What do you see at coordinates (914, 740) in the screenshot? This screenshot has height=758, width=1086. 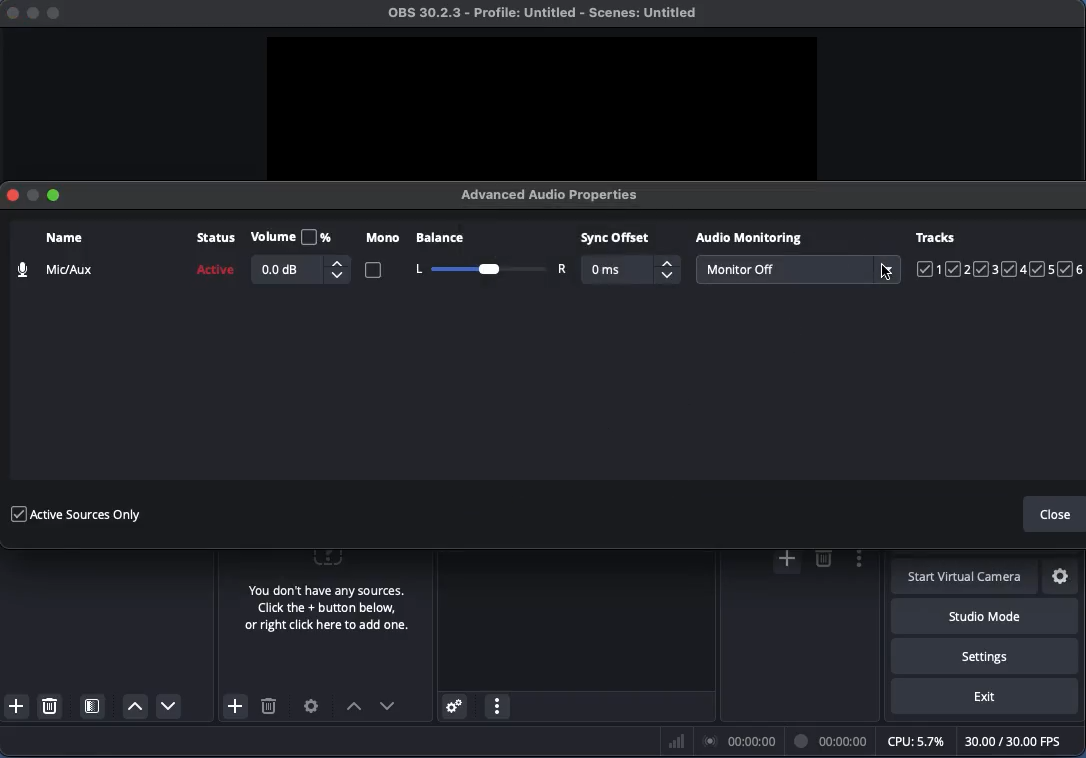 I see `CPU` at bounding box center [914, 740].